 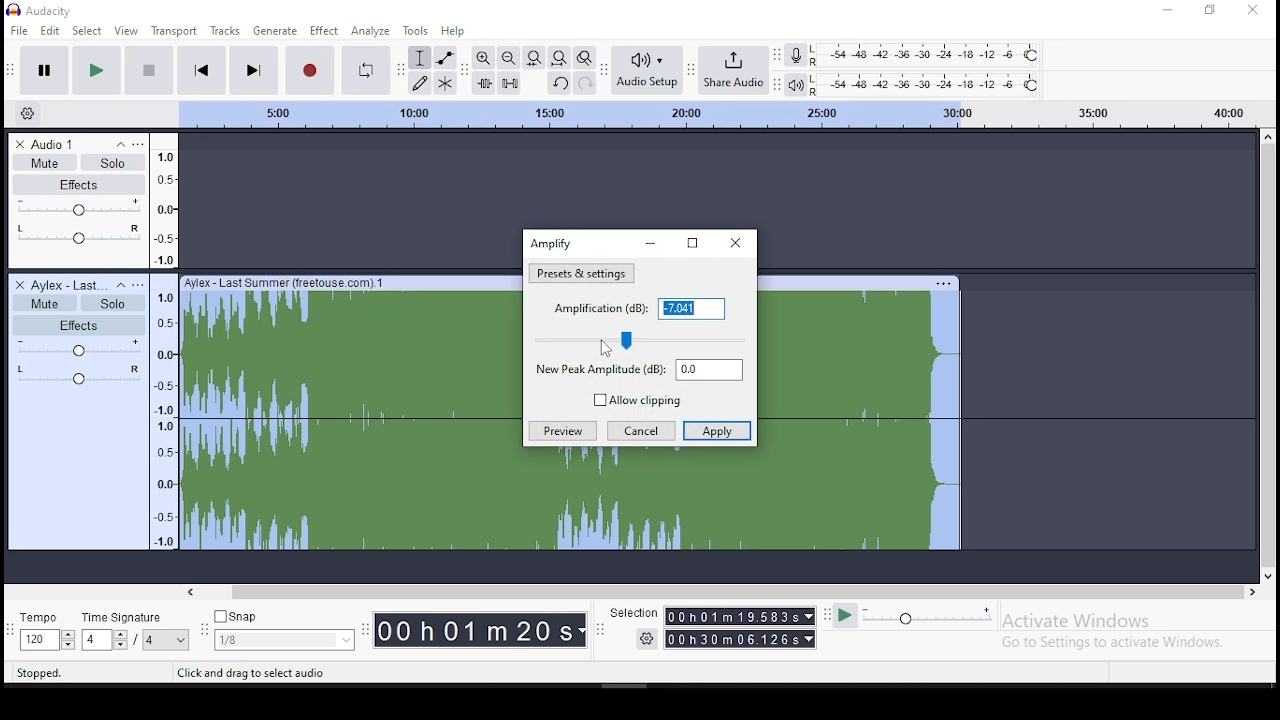 I want to click on solo, so click(x=112, y=303).